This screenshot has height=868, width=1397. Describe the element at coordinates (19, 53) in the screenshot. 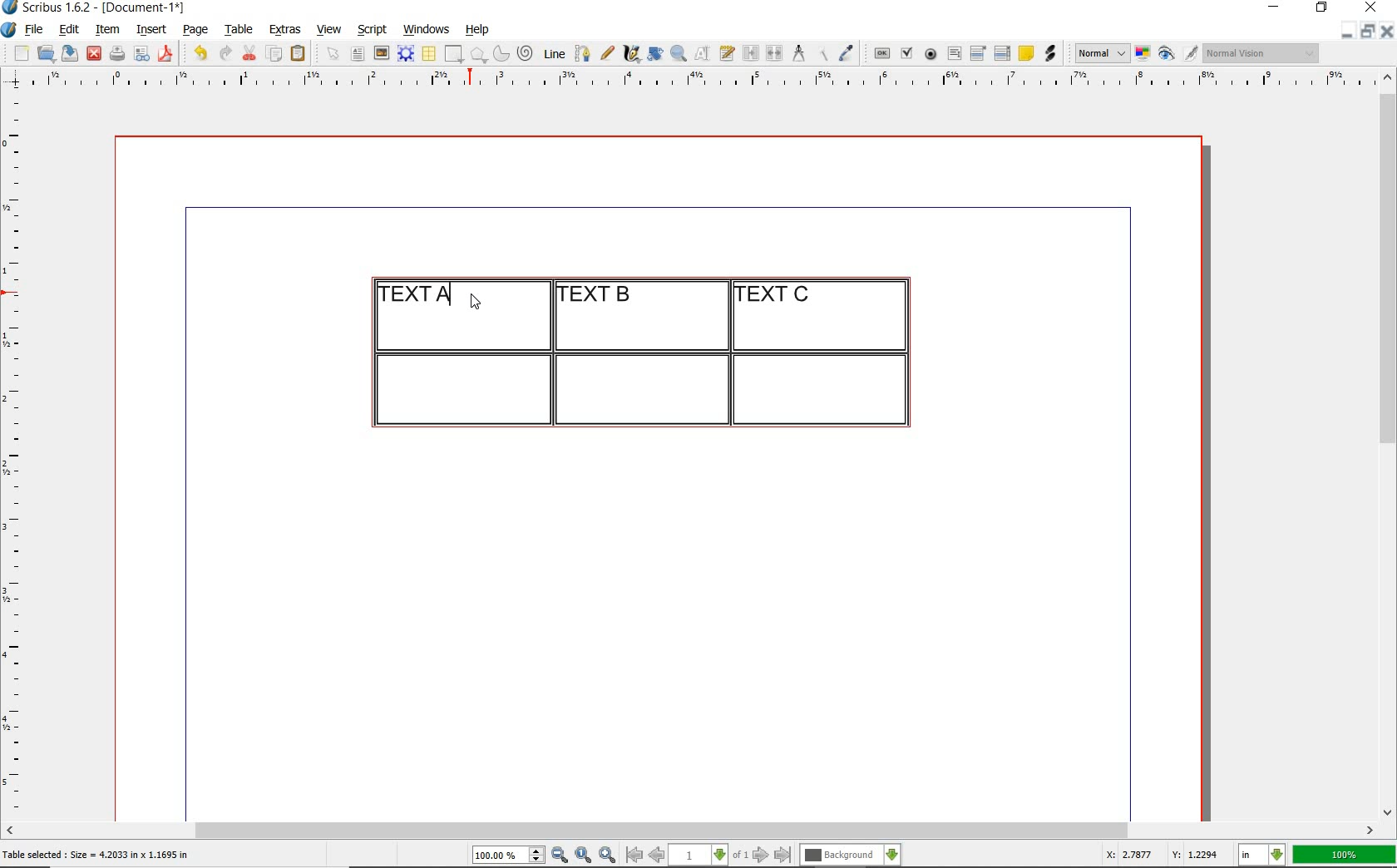

I see `new` at that location.